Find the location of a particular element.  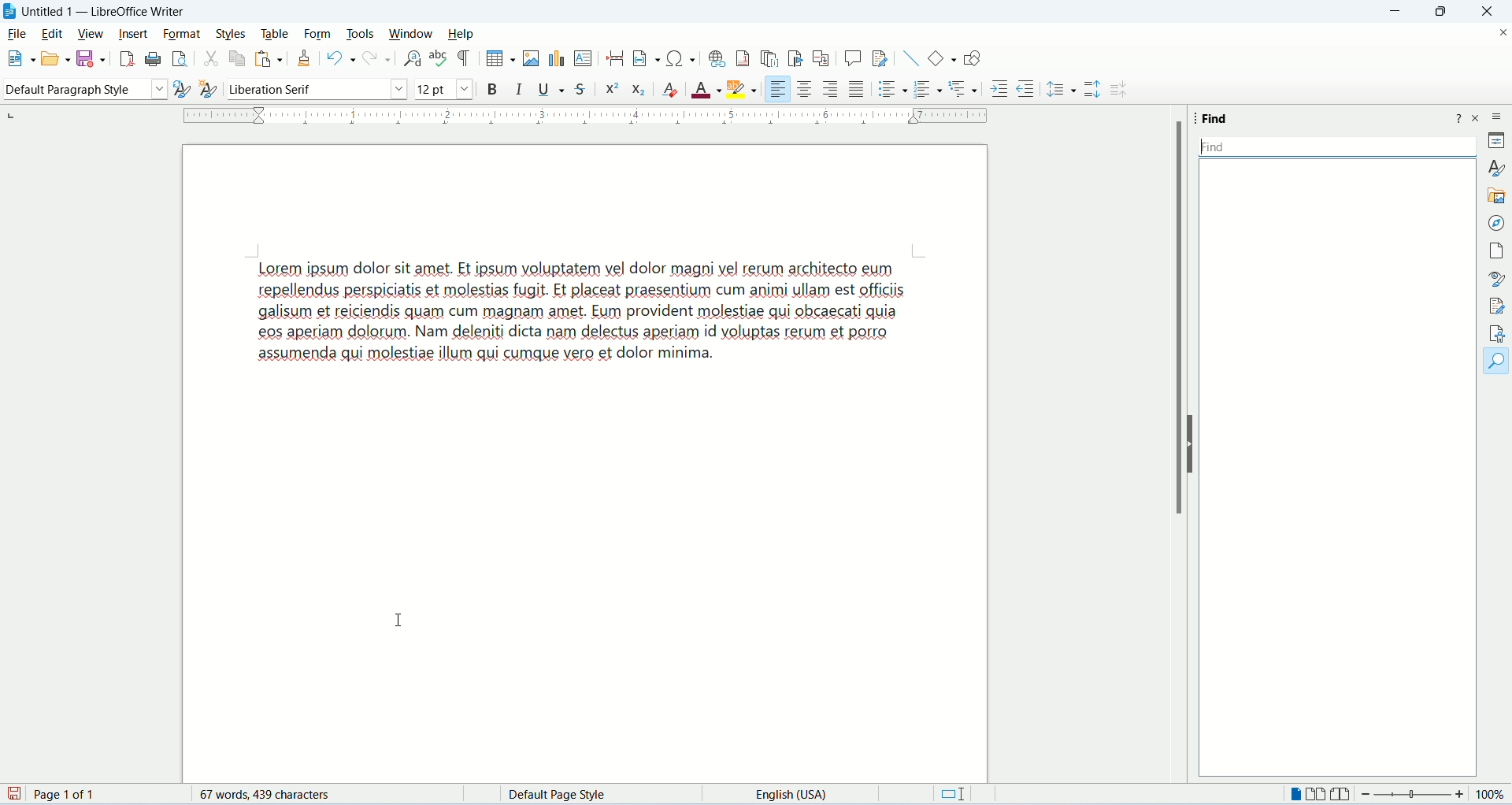

edit is located at coordinates (51, 34).